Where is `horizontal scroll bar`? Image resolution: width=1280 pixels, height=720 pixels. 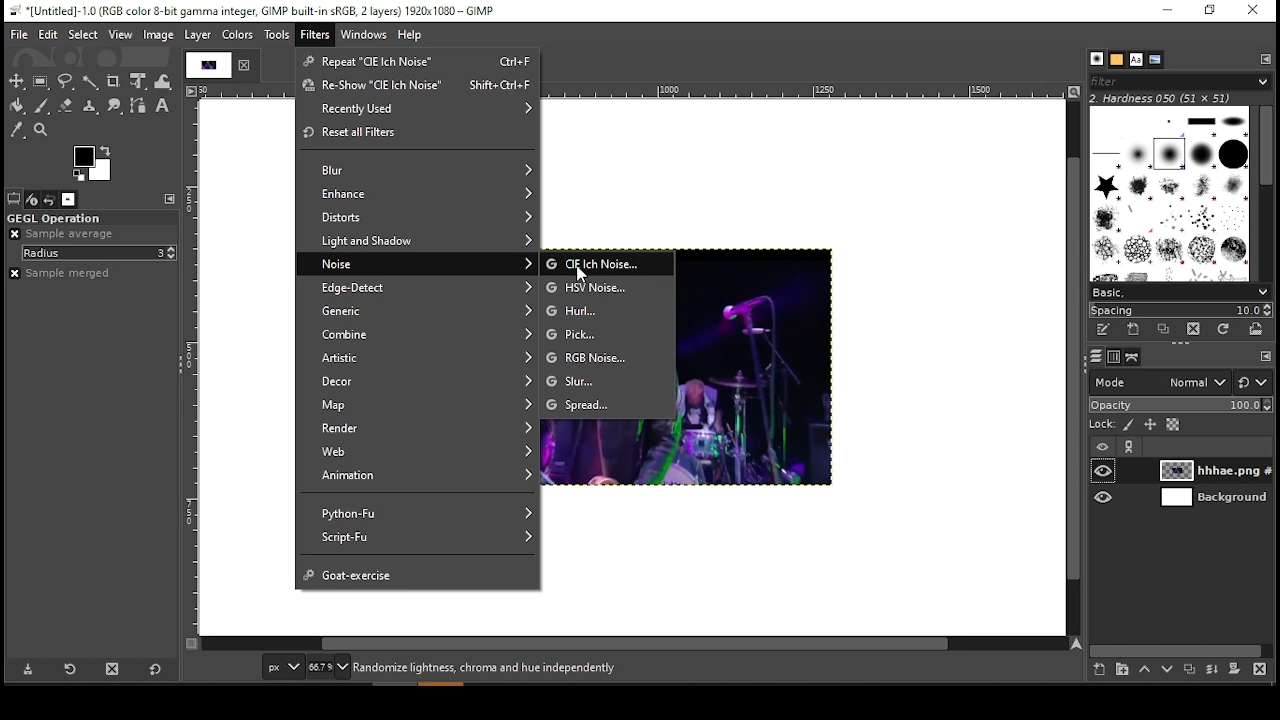
horizontal scroll bar is located at coordinates (634, 645).